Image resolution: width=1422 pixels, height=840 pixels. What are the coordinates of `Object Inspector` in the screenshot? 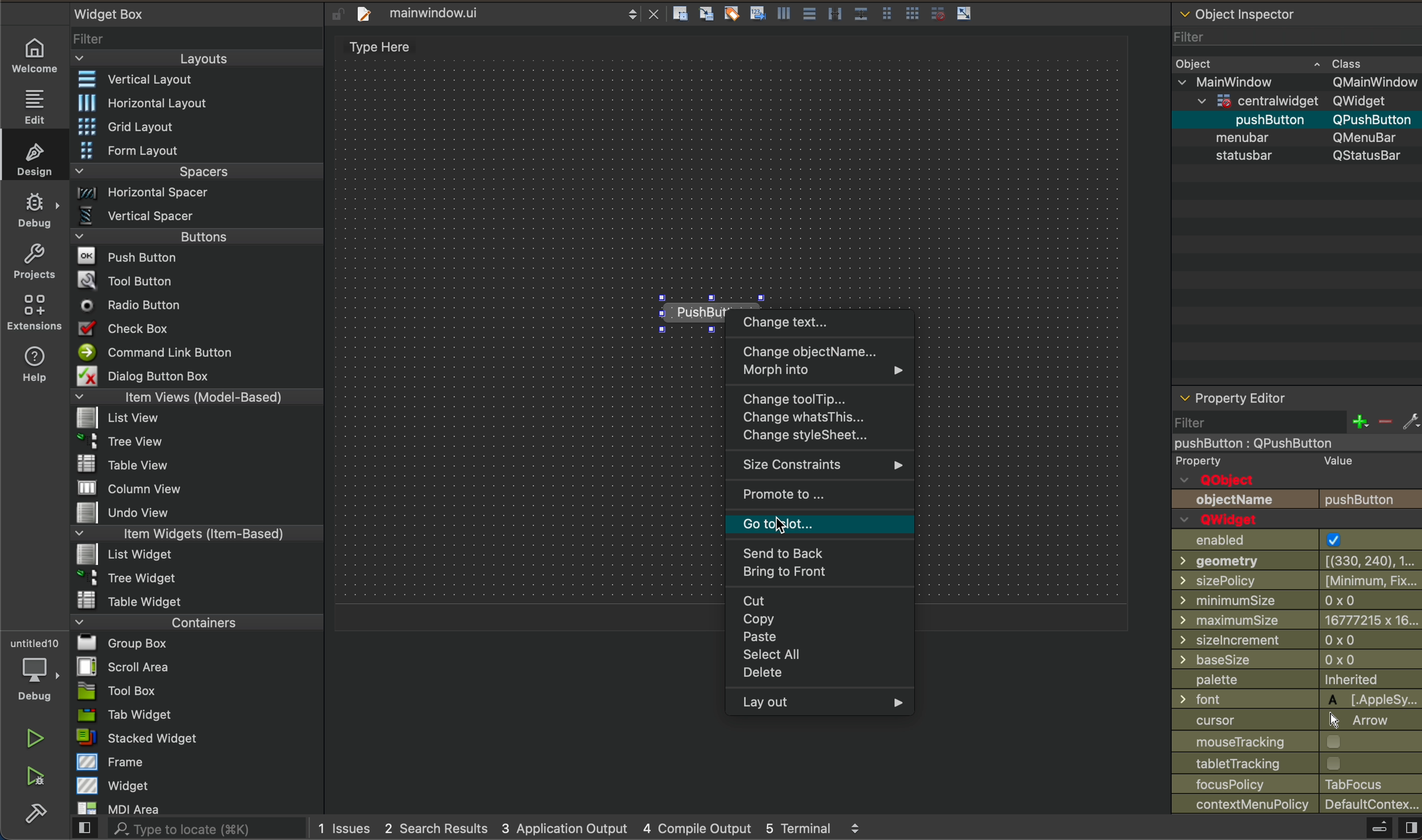 It's located at (1241, 12).